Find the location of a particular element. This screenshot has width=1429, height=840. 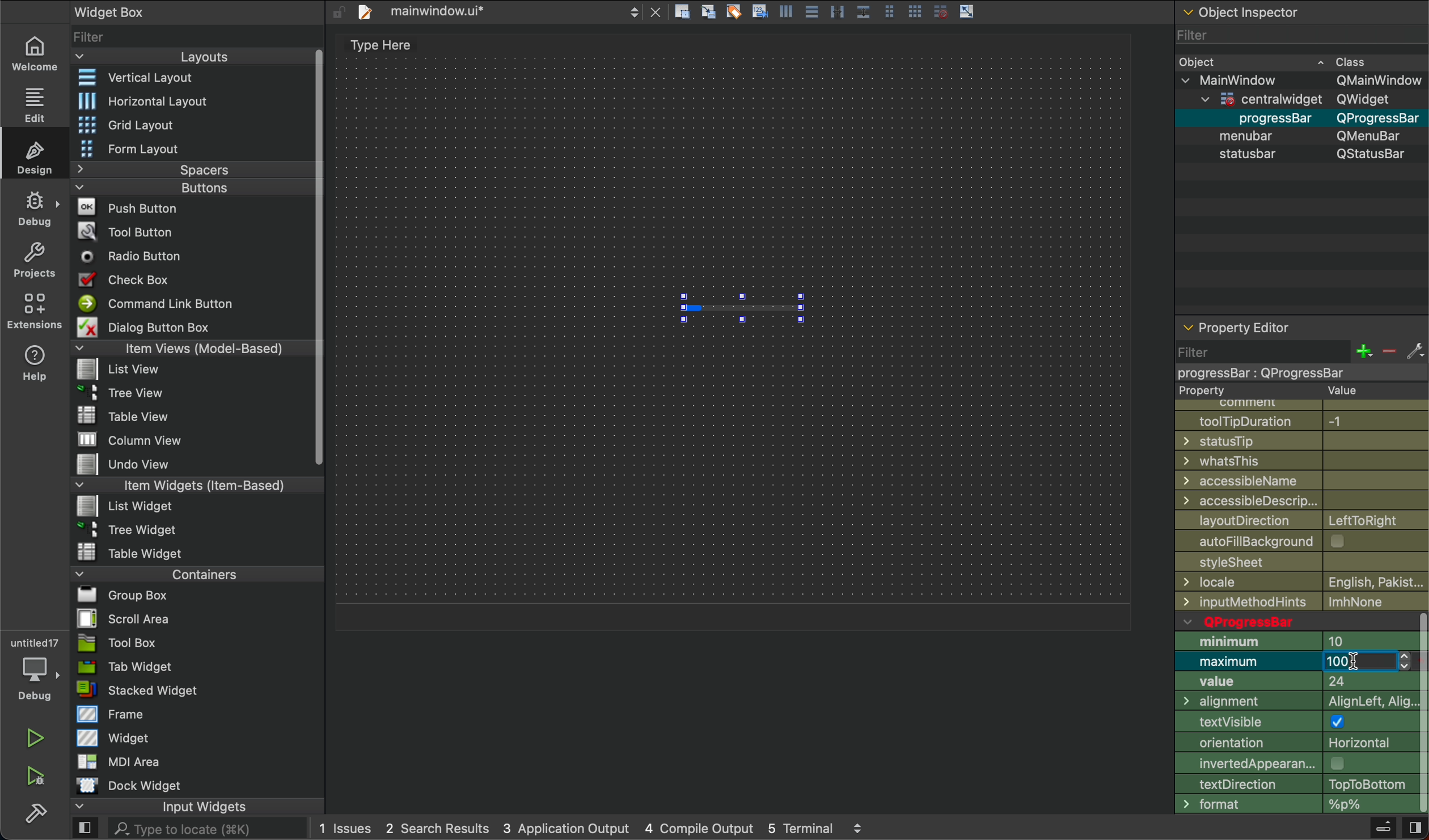

Name access is located at coordinates (1301, 481).